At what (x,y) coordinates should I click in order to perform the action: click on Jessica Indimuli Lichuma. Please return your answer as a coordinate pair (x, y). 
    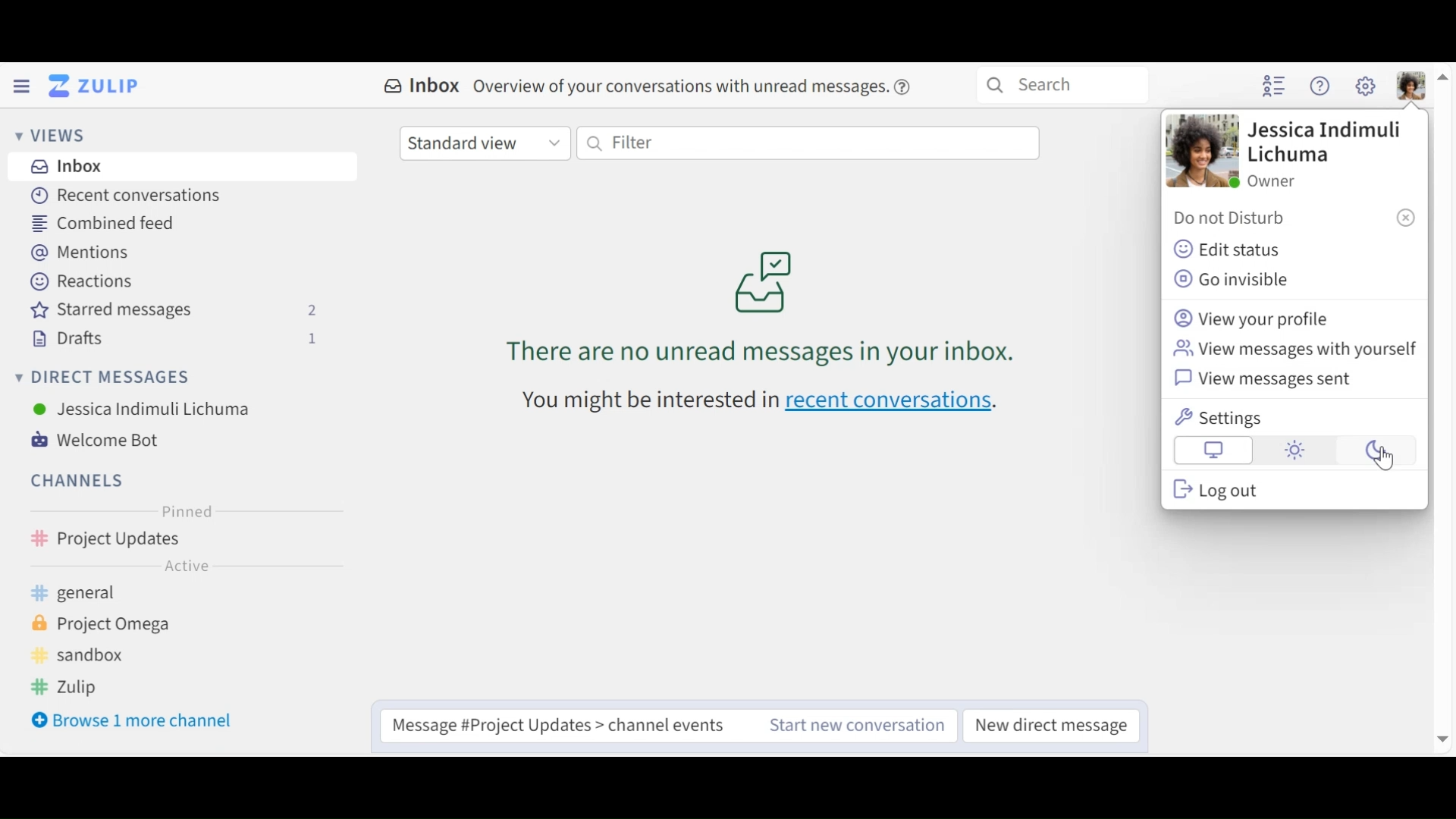
    Looking at the image, I should click on (1323, 144).